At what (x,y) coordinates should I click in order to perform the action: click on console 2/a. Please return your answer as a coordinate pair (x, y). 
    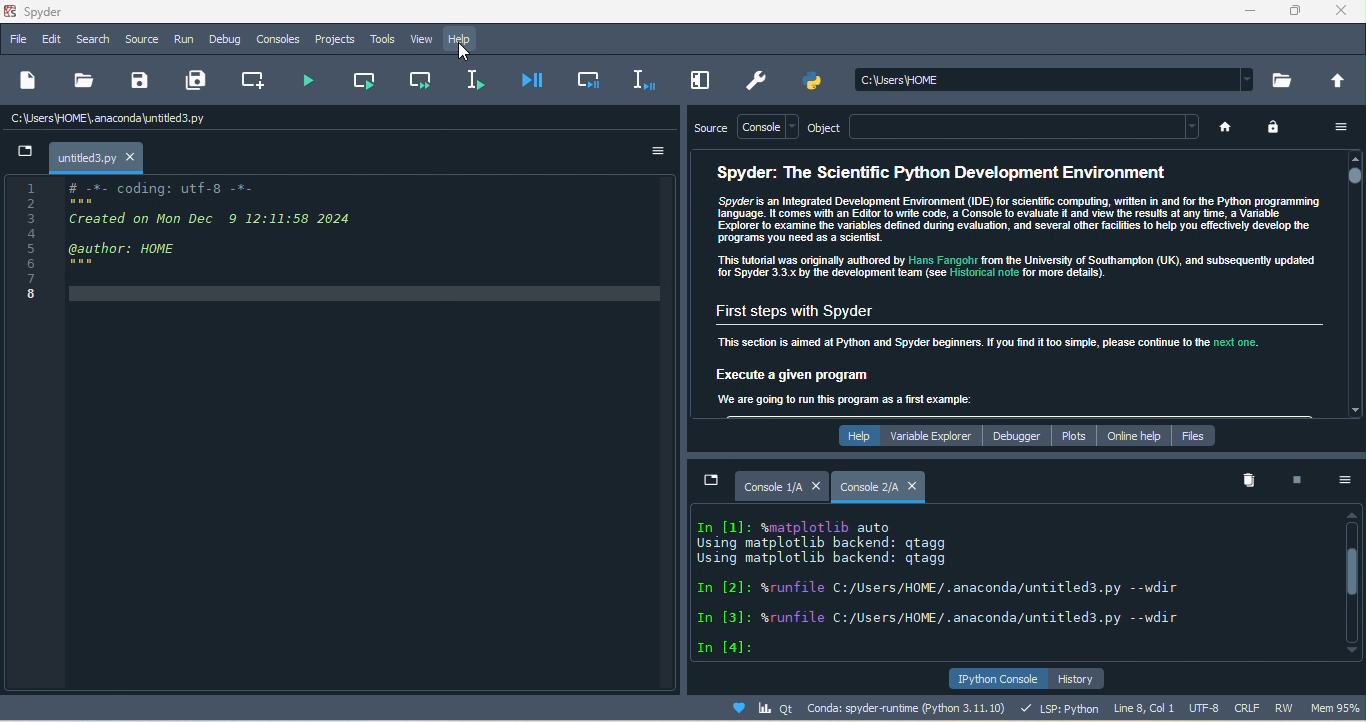
    Looking at the image, I should click on (868, 487).